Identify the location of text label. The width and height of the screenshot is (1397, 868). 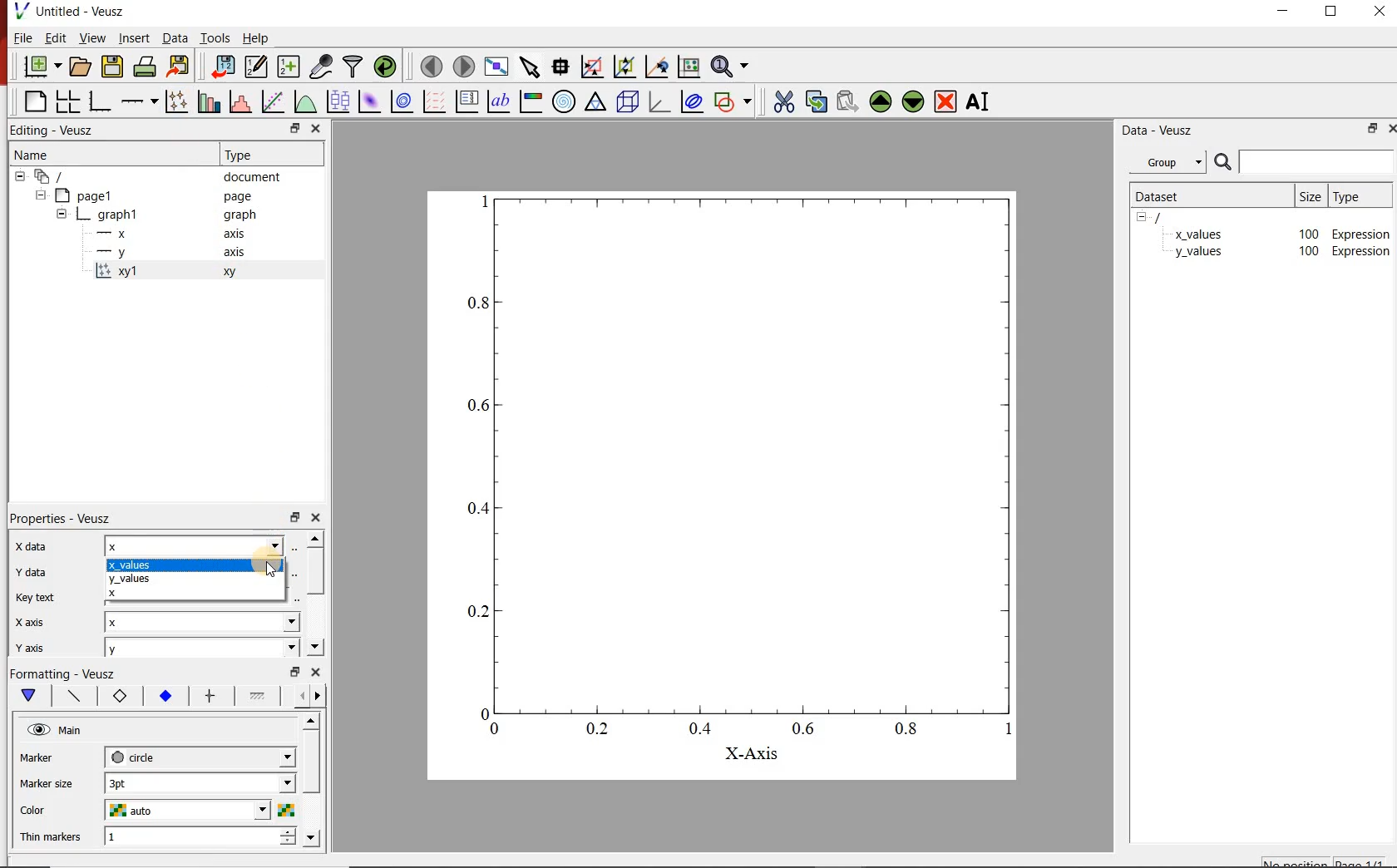
(496, 101).